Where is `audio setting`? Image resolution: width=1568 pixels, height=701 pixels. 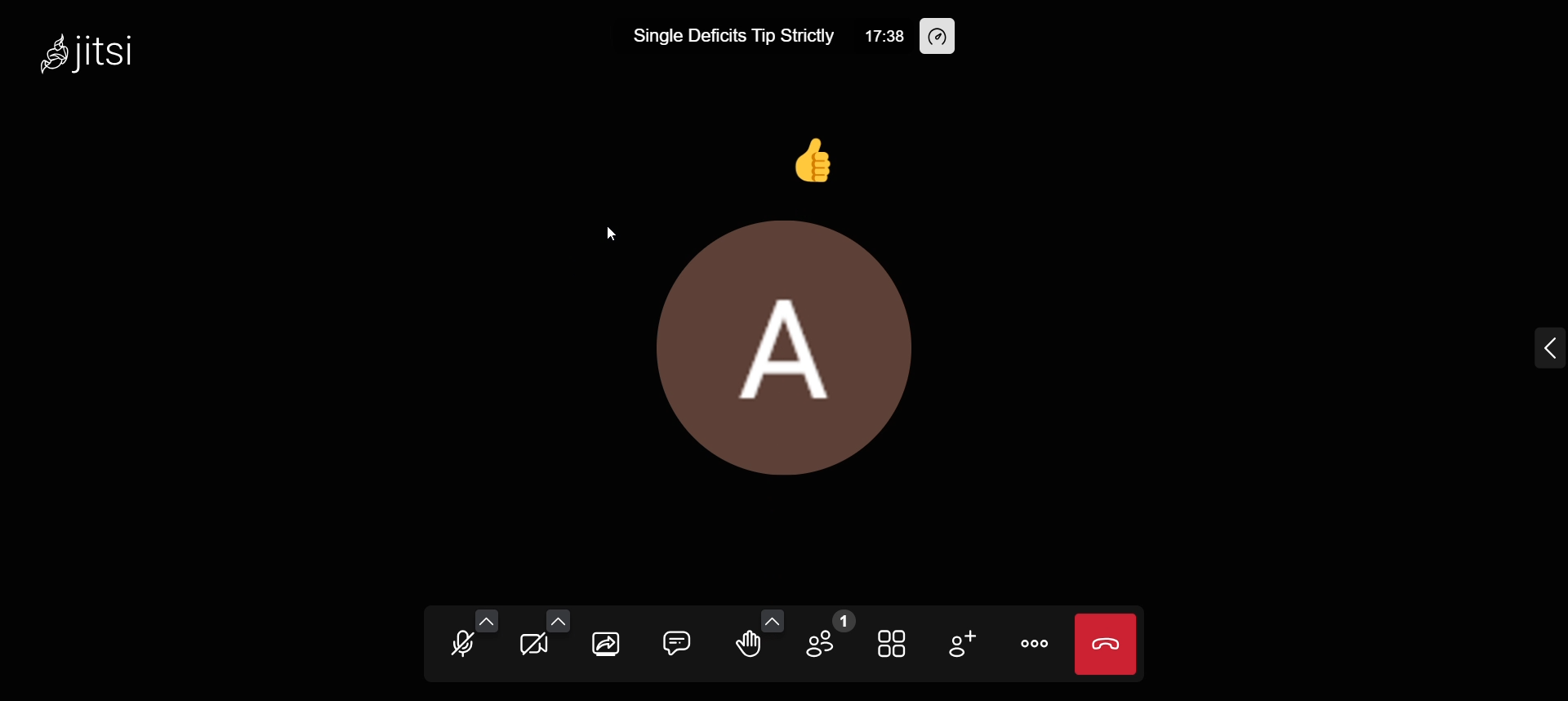
audio setting is located at coordinates (487, 620).